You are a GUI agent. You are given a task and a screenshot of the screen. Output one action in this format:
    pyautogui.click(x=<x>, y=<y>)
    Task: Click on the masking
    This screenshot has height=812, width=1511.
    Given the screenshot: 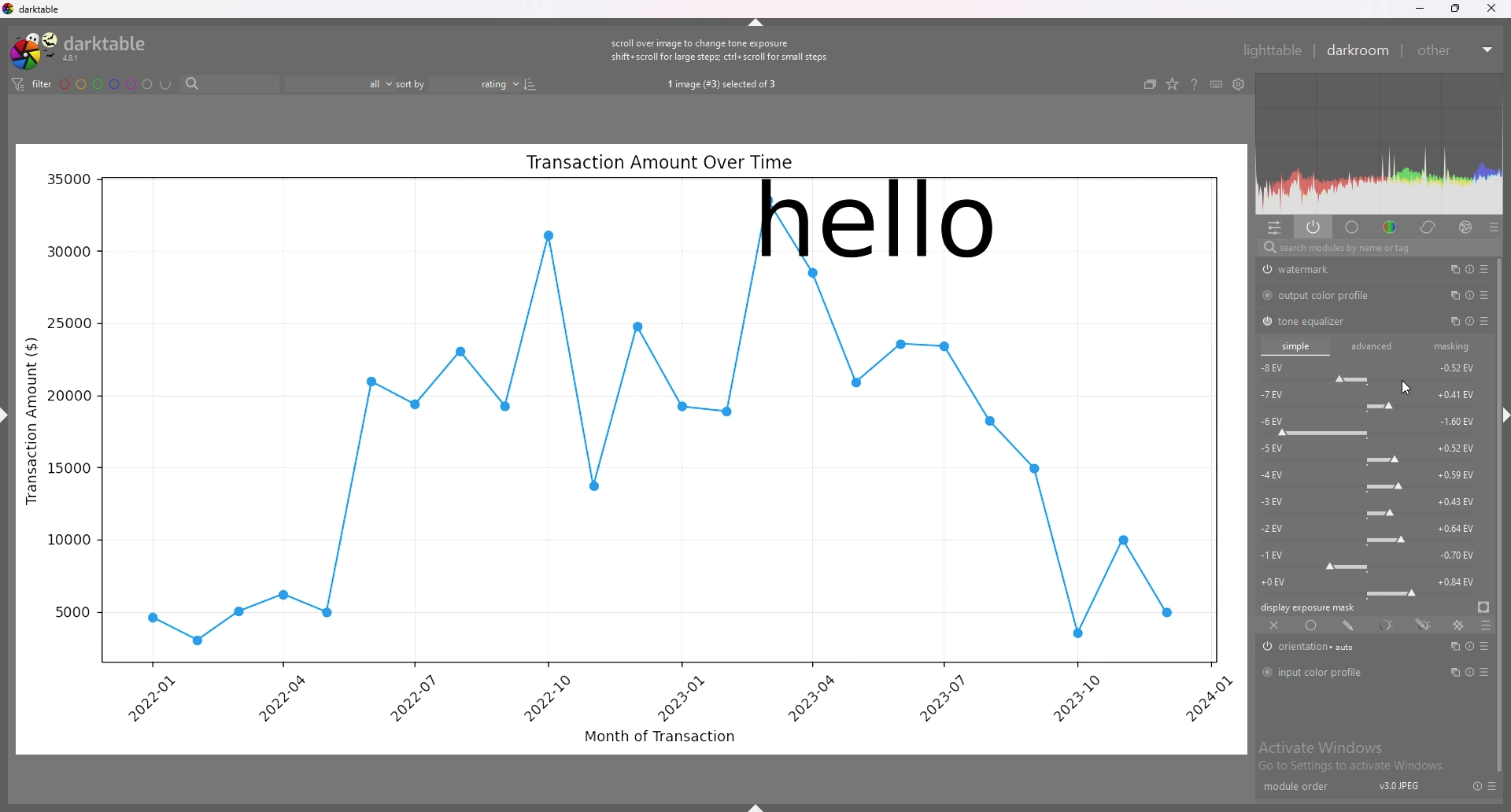 What is the action you would take?
    pyautogui.click(x=1448, y=346)
    